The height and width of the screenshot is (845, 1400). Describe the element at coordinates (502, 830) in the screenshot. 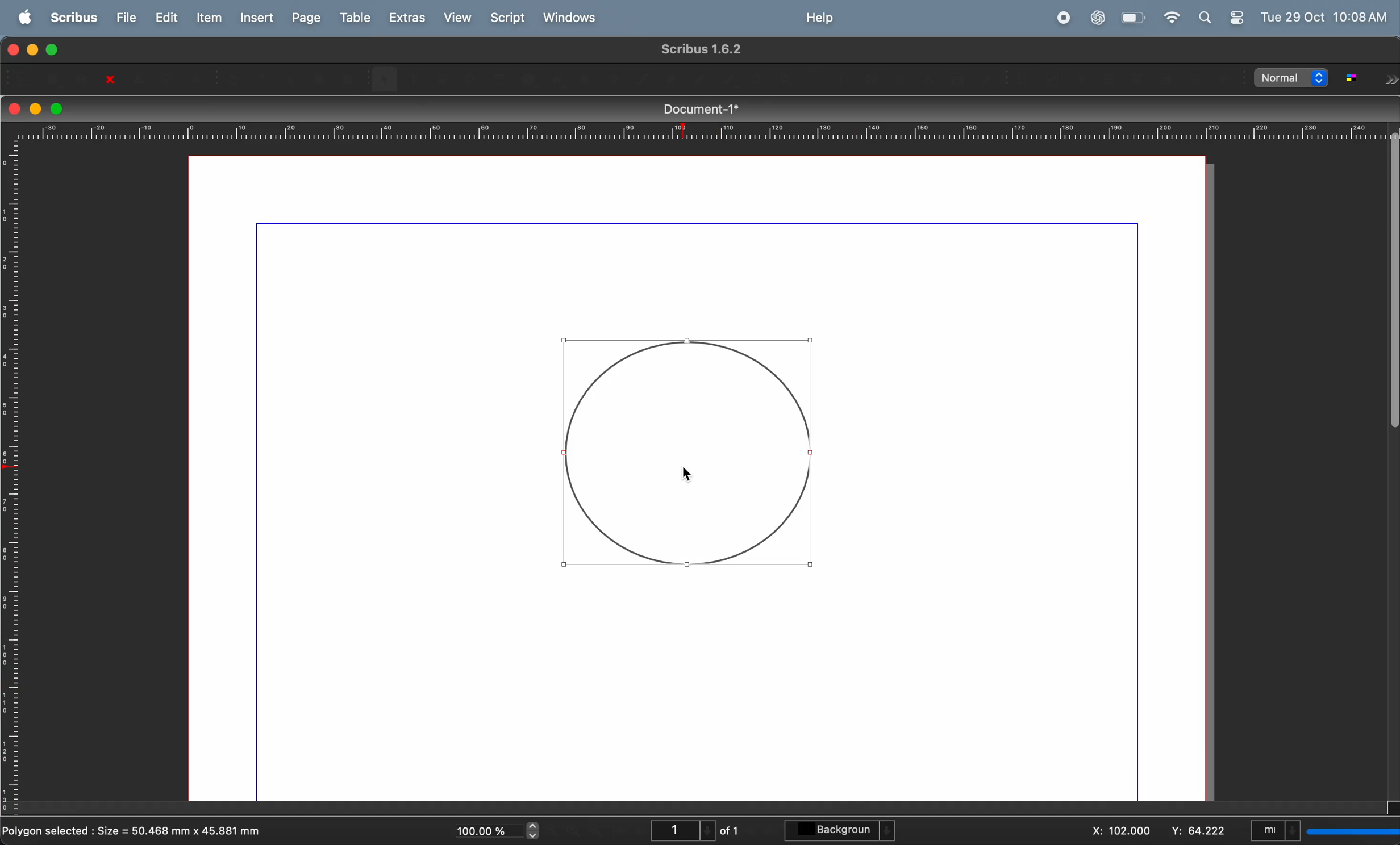

I see `current zoom level` at that location.